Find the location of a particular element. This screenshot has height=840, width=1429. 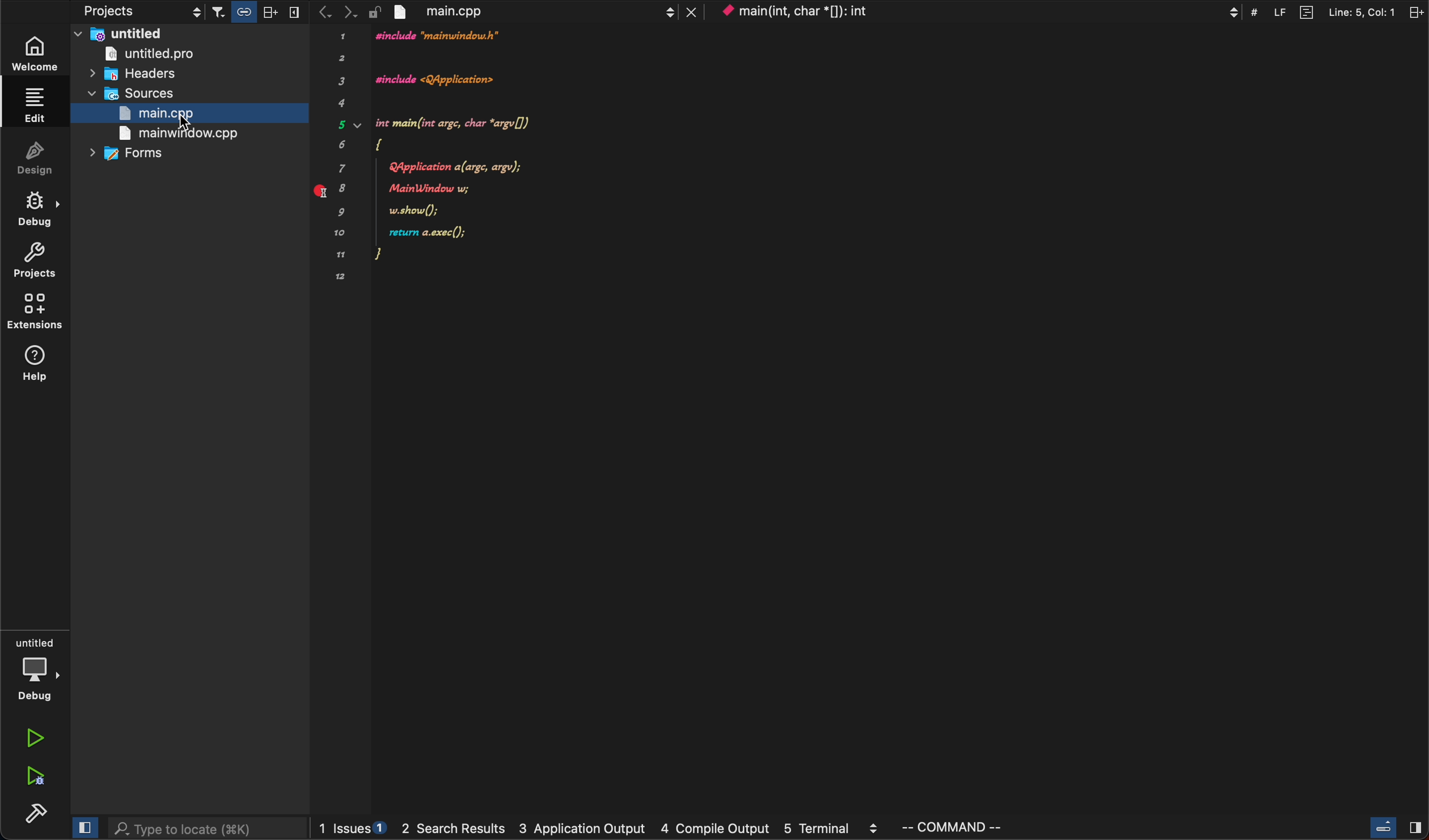

extentions is located at coordinates (35, 313).